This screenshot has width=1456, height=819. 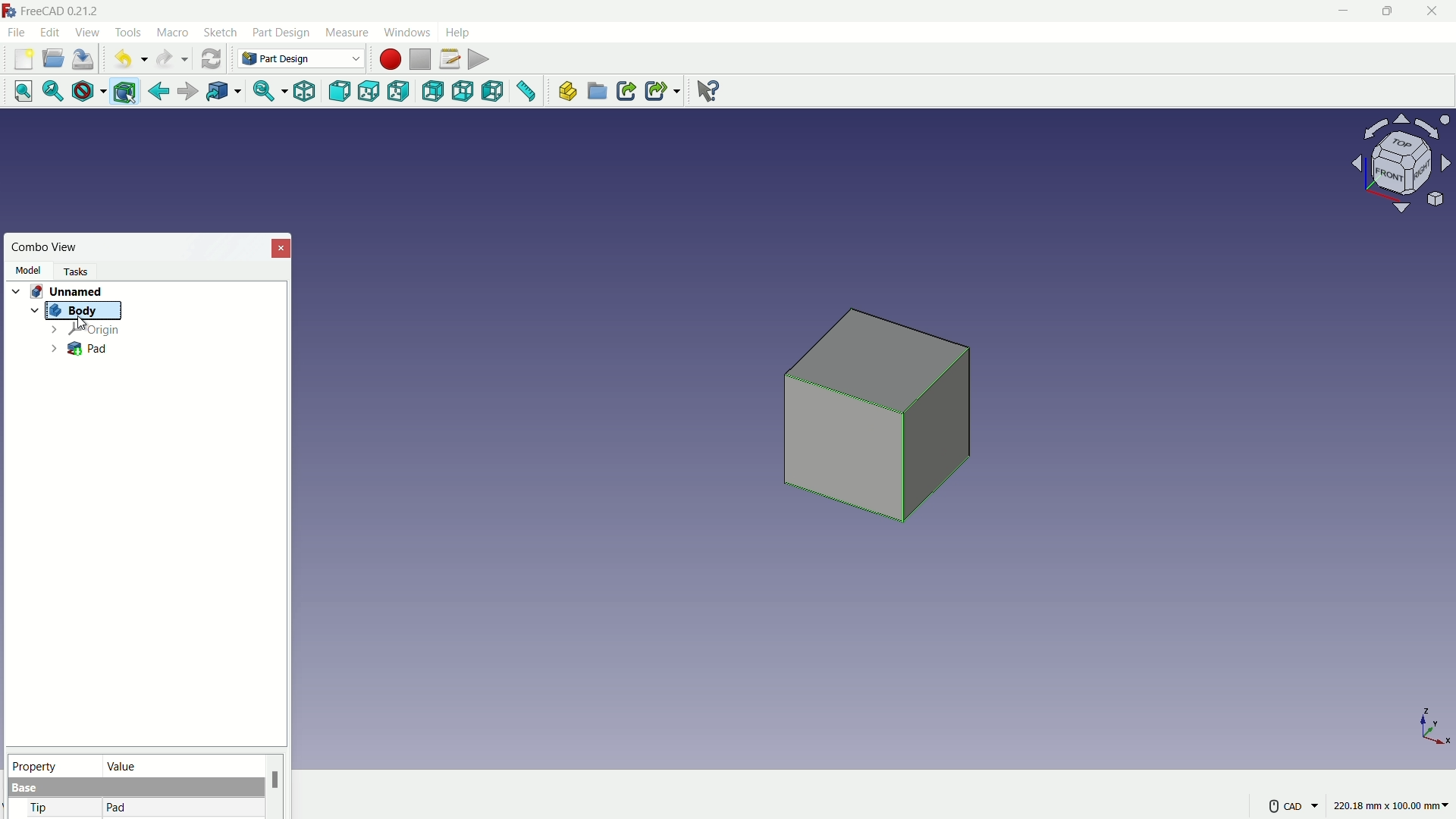 What do you see at coordinates (406, 32) in the screenshot?
I see `windows` at bounding box center [406, 32].